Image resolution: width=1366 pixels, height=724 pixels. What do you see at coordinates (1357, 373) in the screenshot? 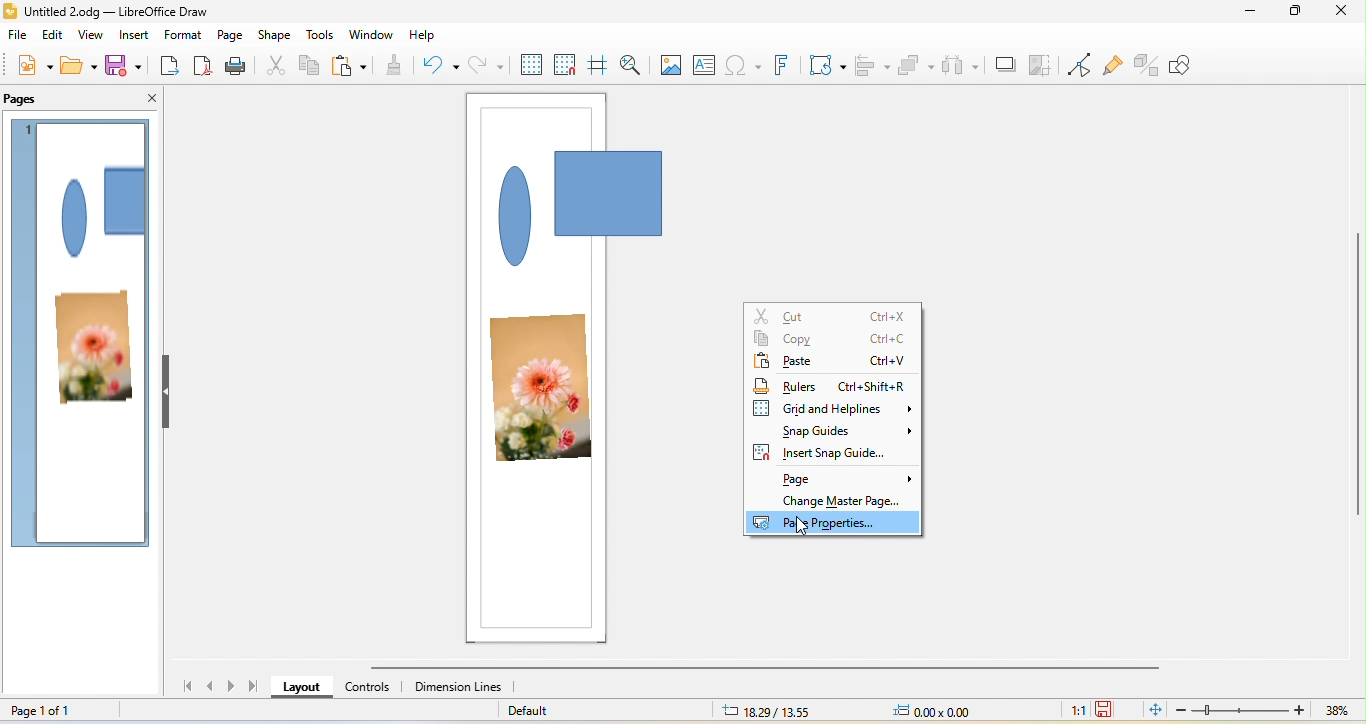
I see `vertical scroll bar` at bounding box center [1357, 373].